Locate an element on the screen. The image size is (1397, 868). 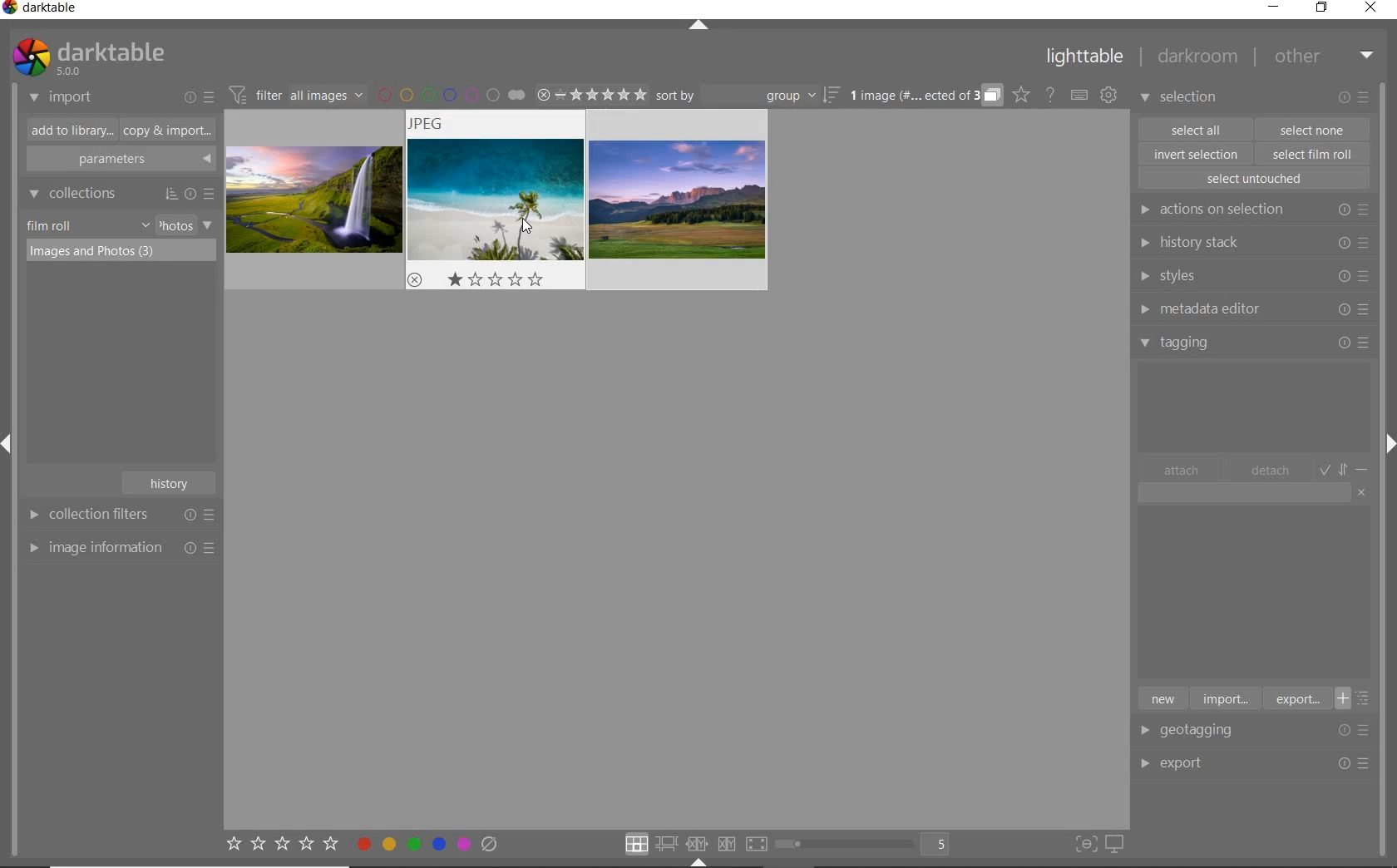
system logo is located at coordinates (87, 57).